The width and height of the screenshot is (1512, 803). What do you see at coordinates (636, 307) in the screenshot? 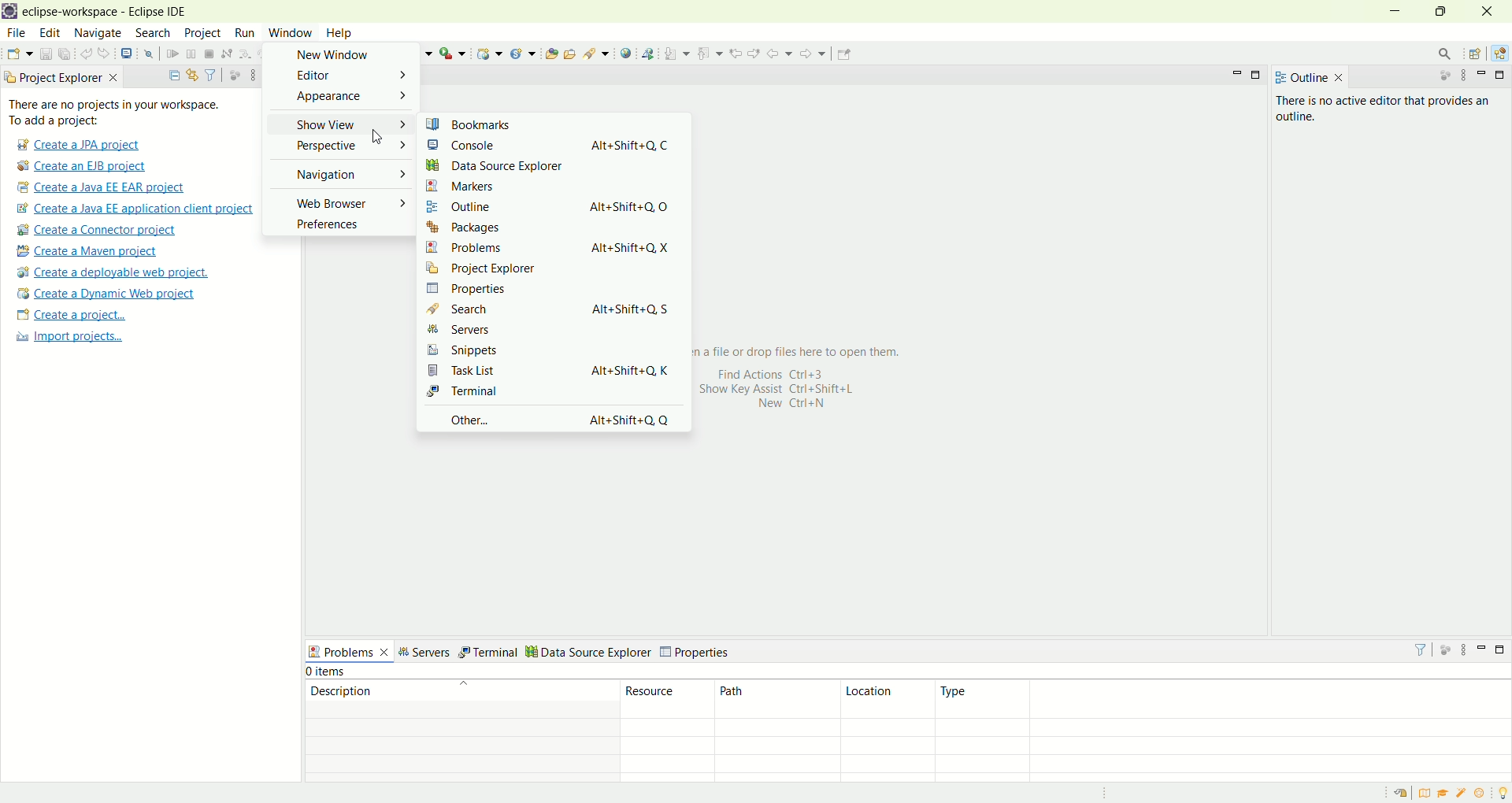
I see `aIt+Shift+Q, S` at bounding box center [636, 307].